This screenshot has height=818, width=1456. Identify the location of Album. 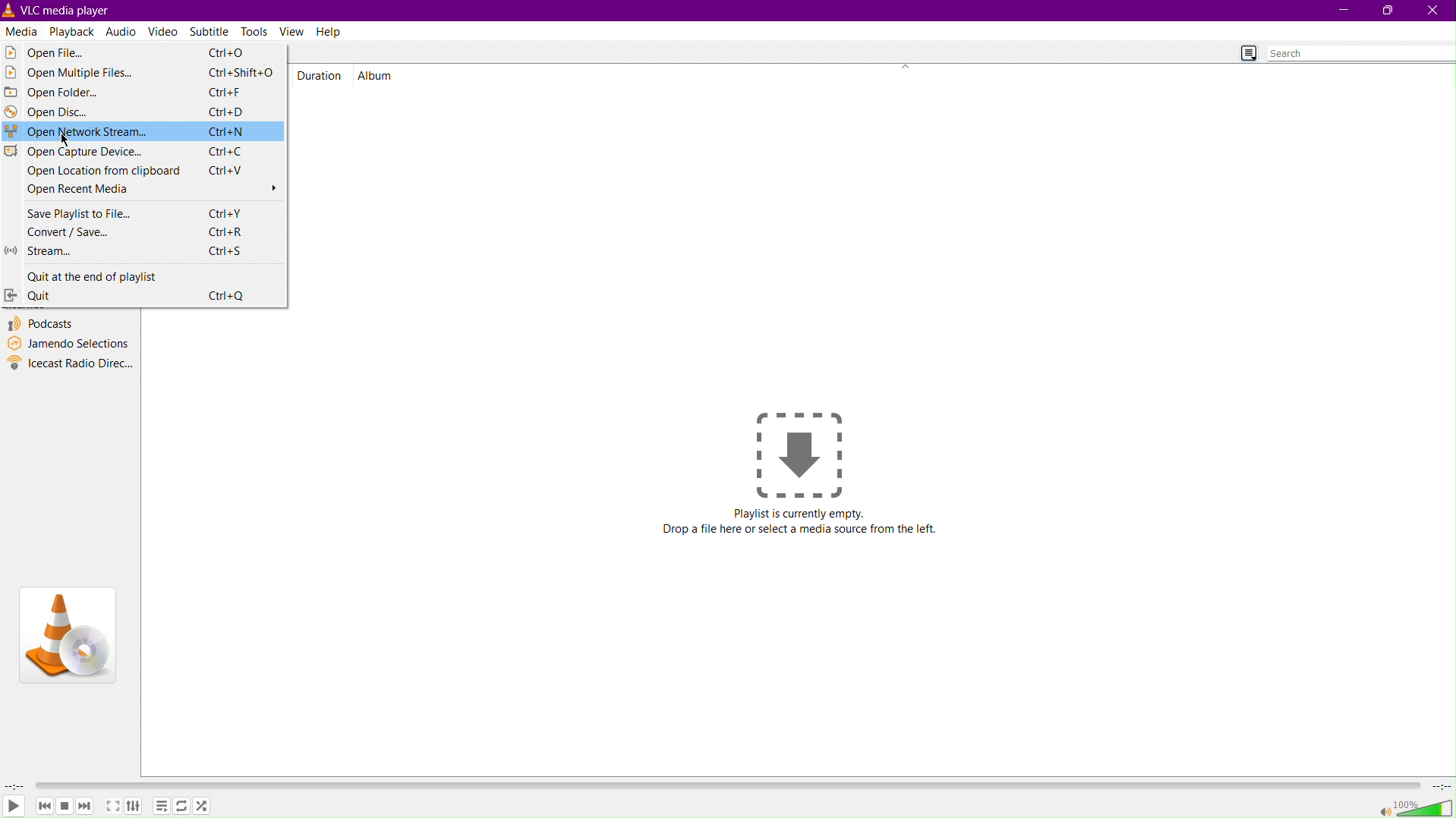
(378, 74).